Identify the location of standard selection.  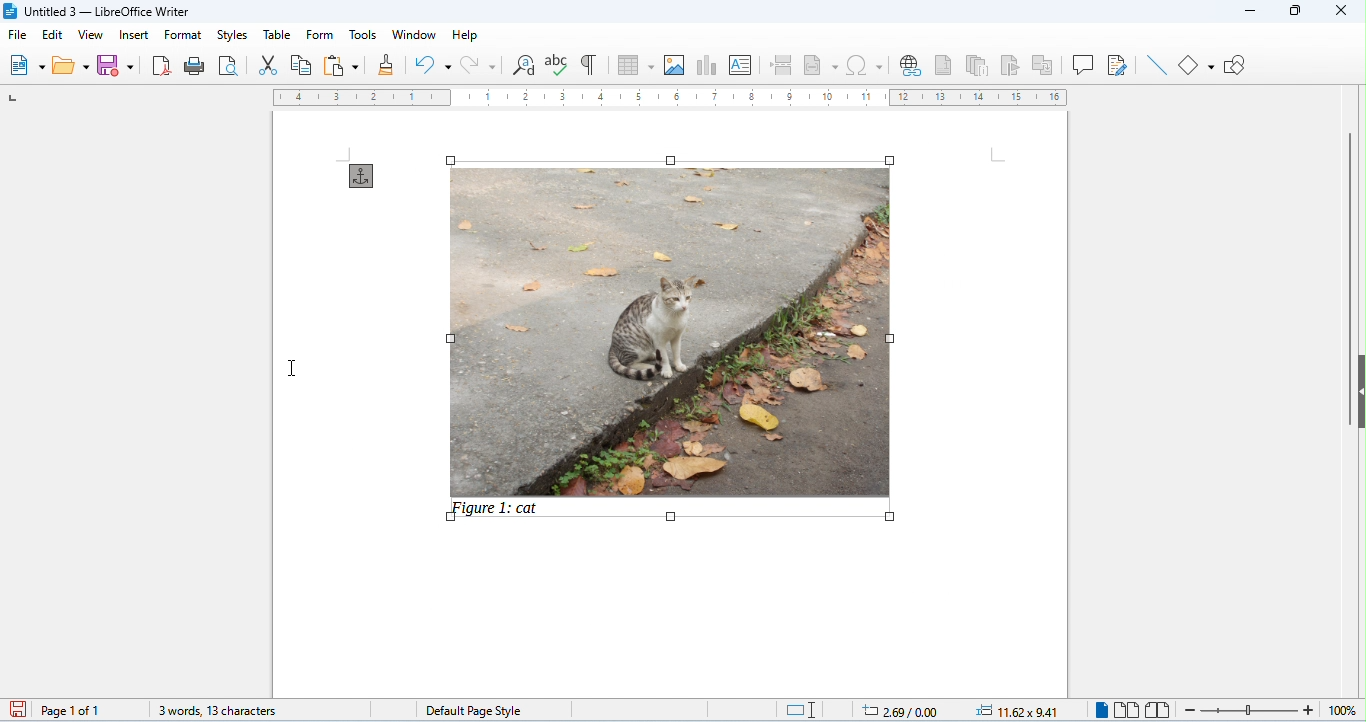
(801, 710).